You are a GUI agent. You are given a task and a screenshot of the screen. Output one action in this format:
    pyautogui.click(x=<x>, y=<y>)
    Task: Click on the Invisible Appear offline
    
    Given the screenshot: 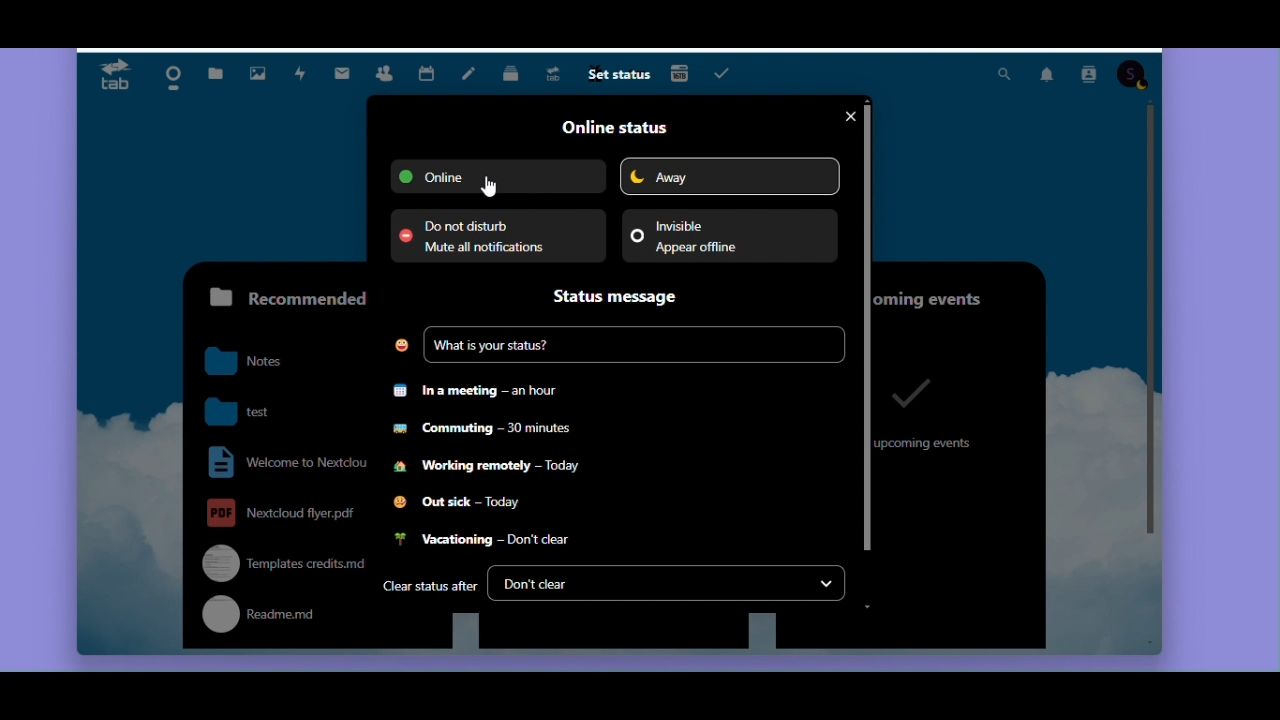 What is the action you would take?
    pyautogui.click(x=729, y=235)
    